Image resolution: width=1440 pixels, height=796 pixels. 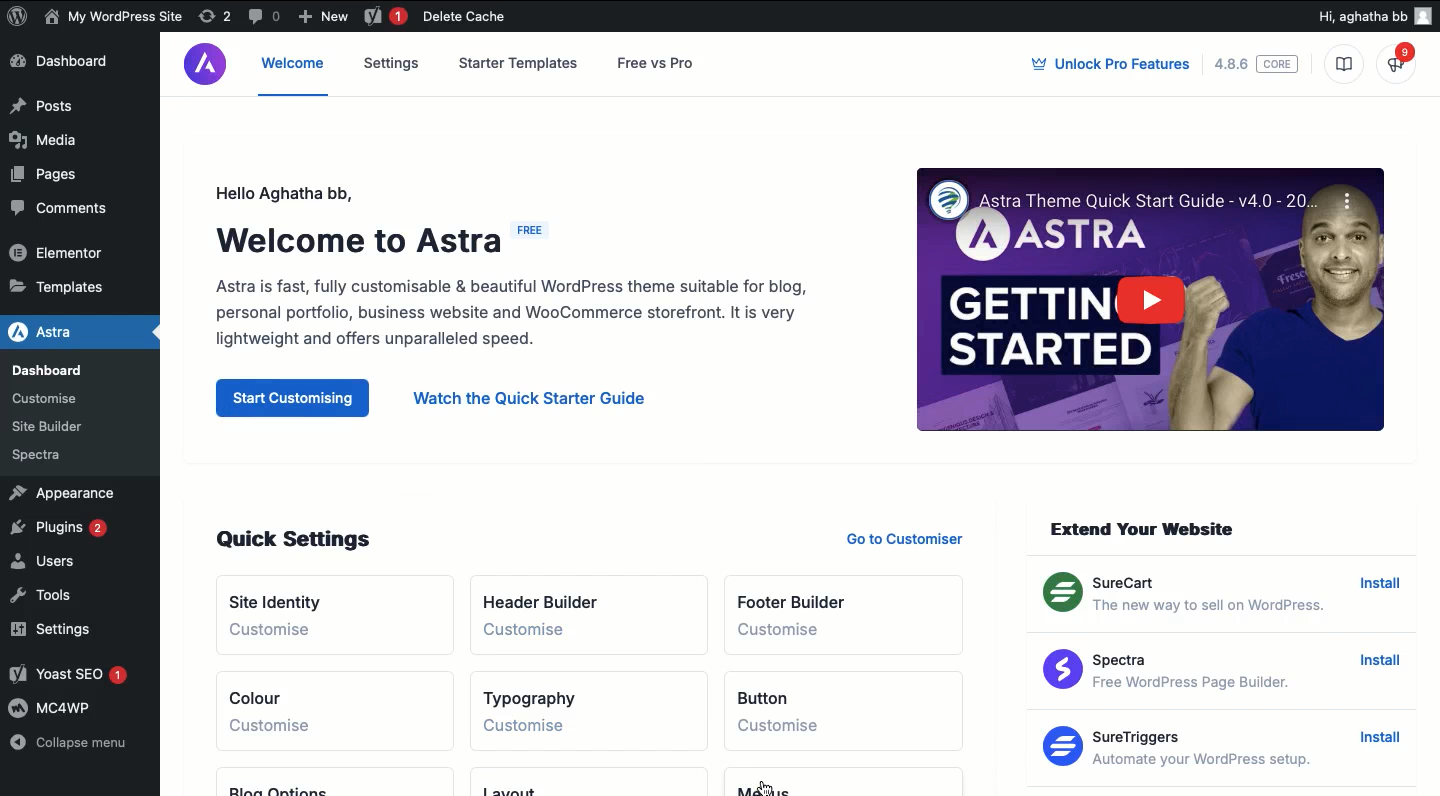 What do you see at coordinates (70, 676) in the screenshot?
I see `Yoast SEO 1` at bounding box center [70, 676].